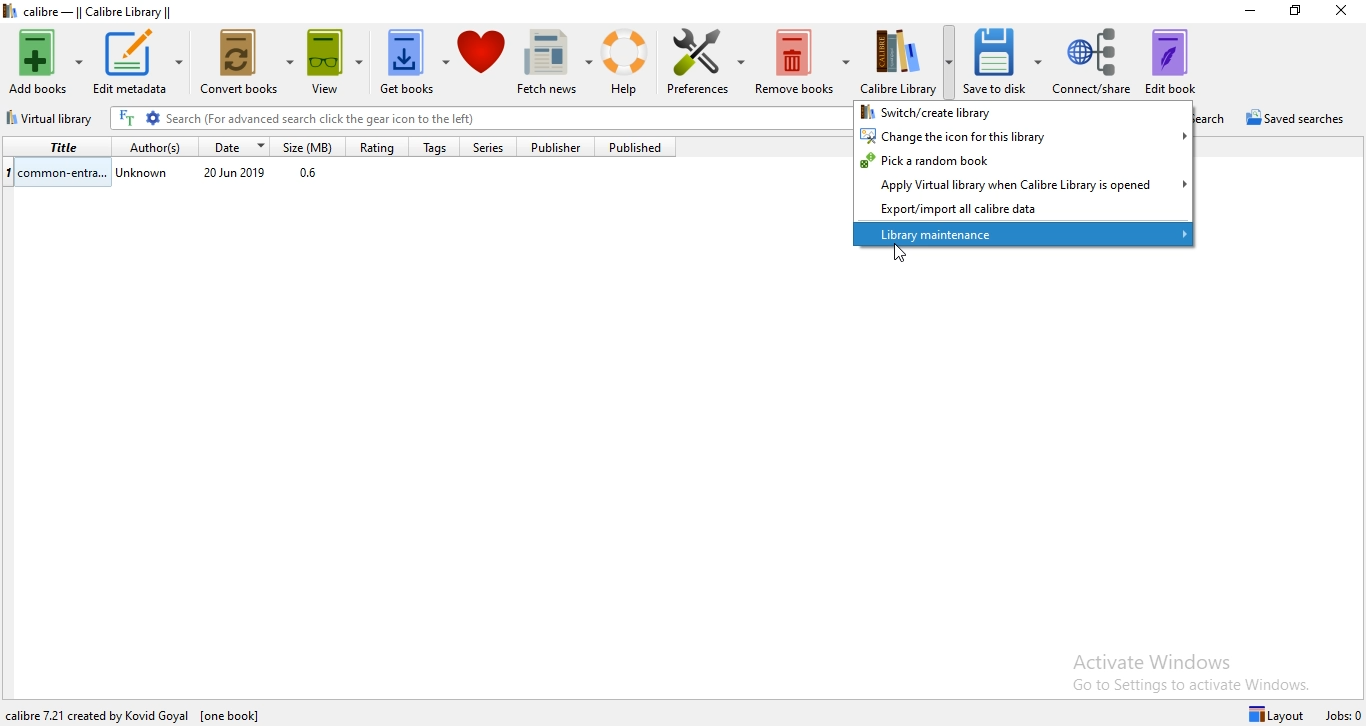  I want to click on Save to disk, so click(1006, 61).